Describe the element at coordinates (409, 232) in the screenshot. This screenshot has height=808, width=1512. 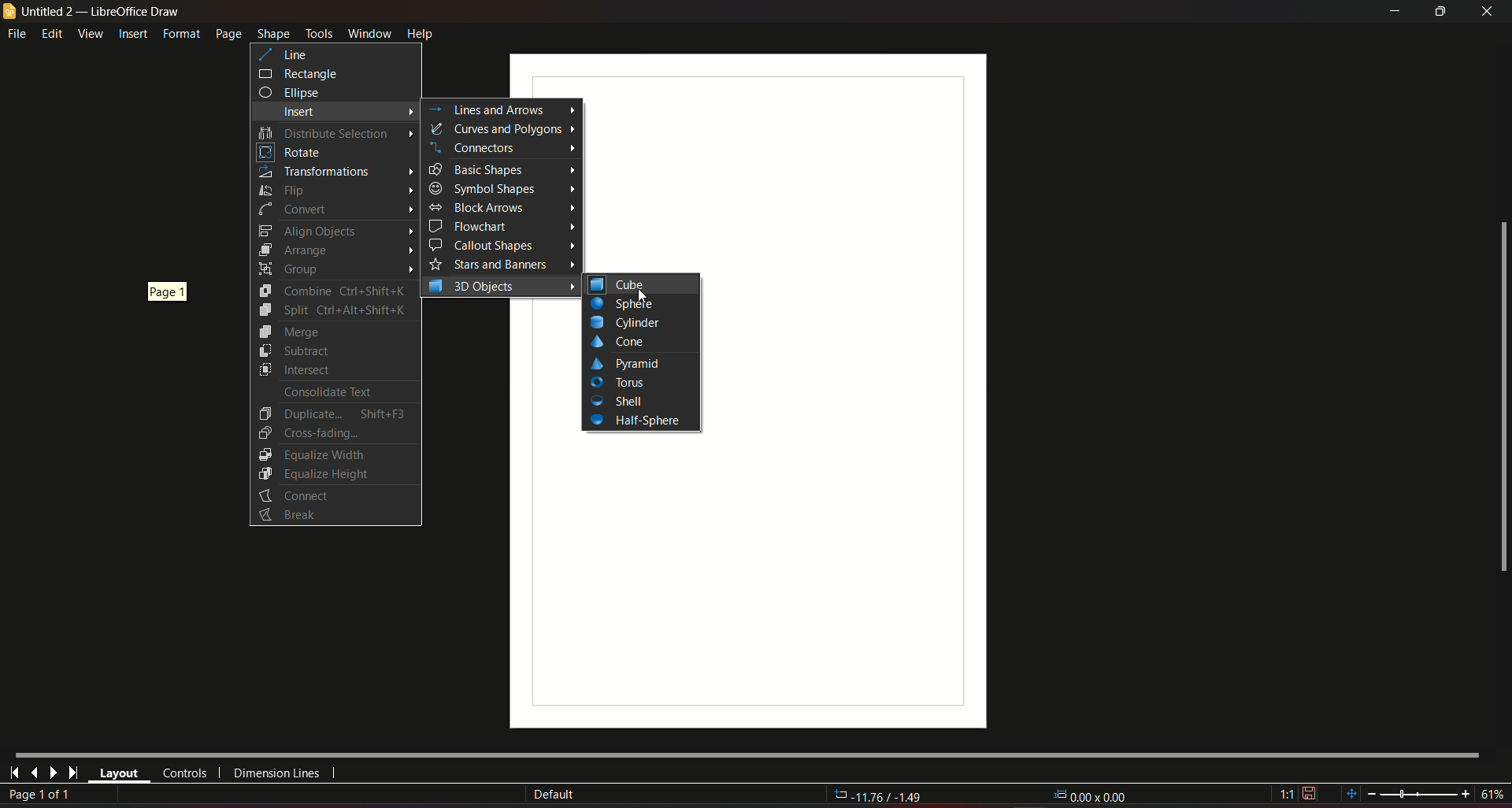
I see `Arrow` at that location.